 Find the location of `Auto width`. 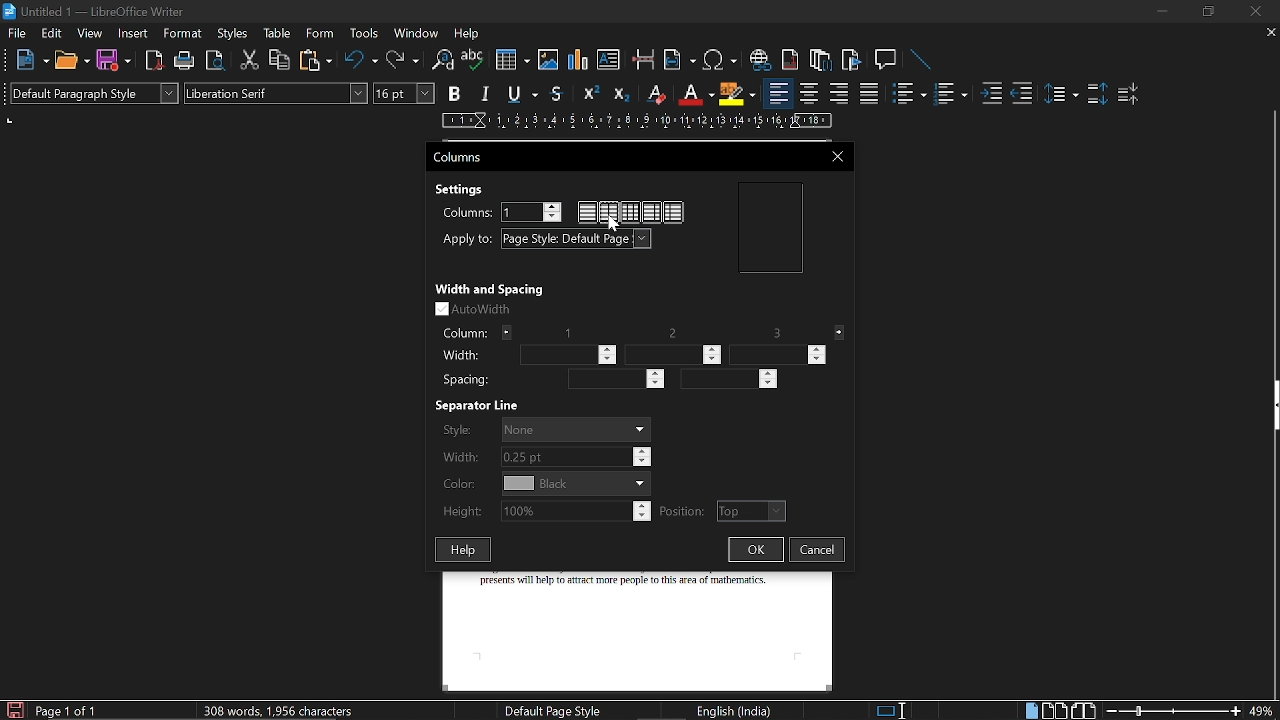

Auto width is located at coordinates (477, 310).